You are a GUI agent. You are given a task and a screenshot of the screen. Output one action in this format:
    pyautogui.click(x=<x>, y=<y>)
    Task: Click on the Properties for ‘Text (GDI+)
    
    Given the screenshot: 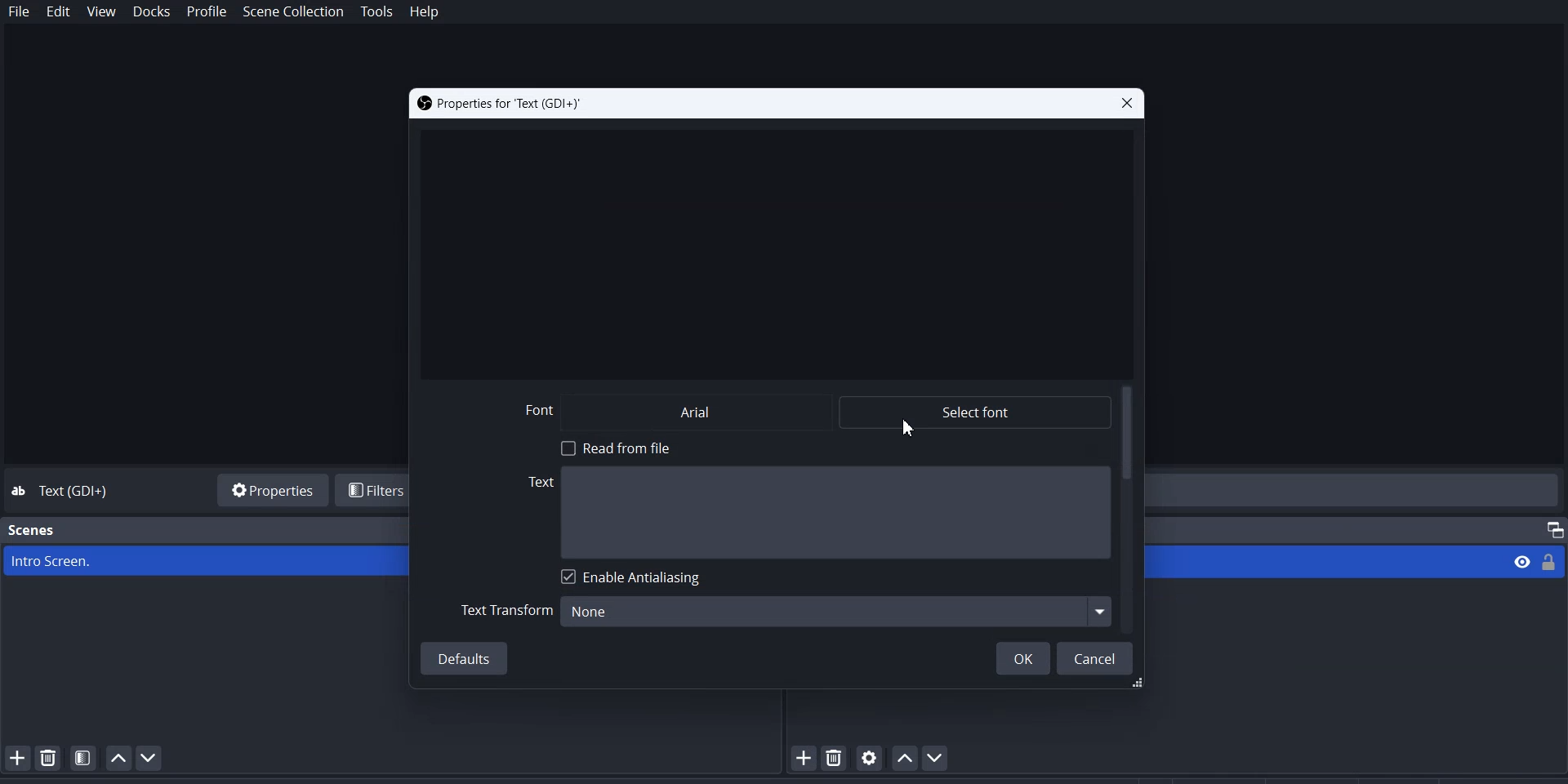 What is the action you would take?
    pyautogui.click(x=506, y=102)
    